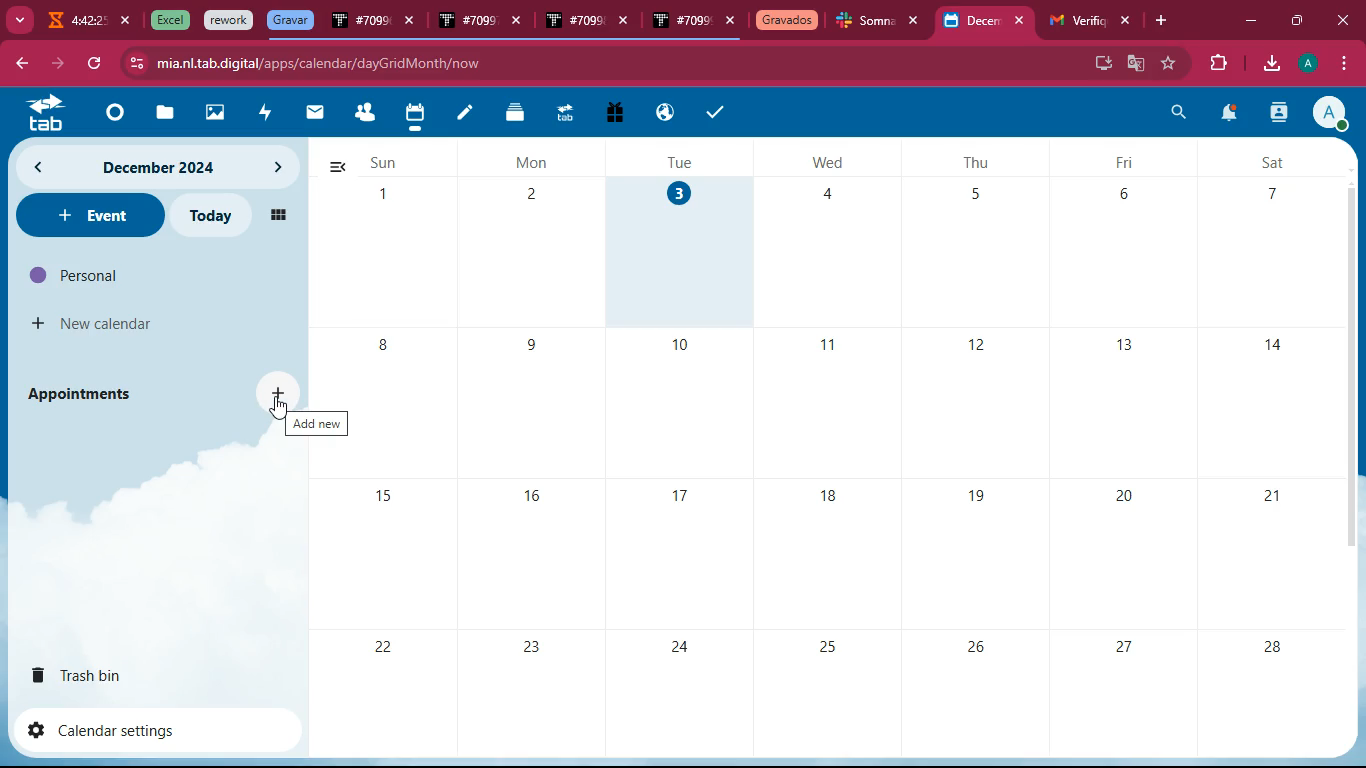 The image size is (1366, 768). Describe the element at coordinates (628, 23) in the screenshot. I see `close` at that location.